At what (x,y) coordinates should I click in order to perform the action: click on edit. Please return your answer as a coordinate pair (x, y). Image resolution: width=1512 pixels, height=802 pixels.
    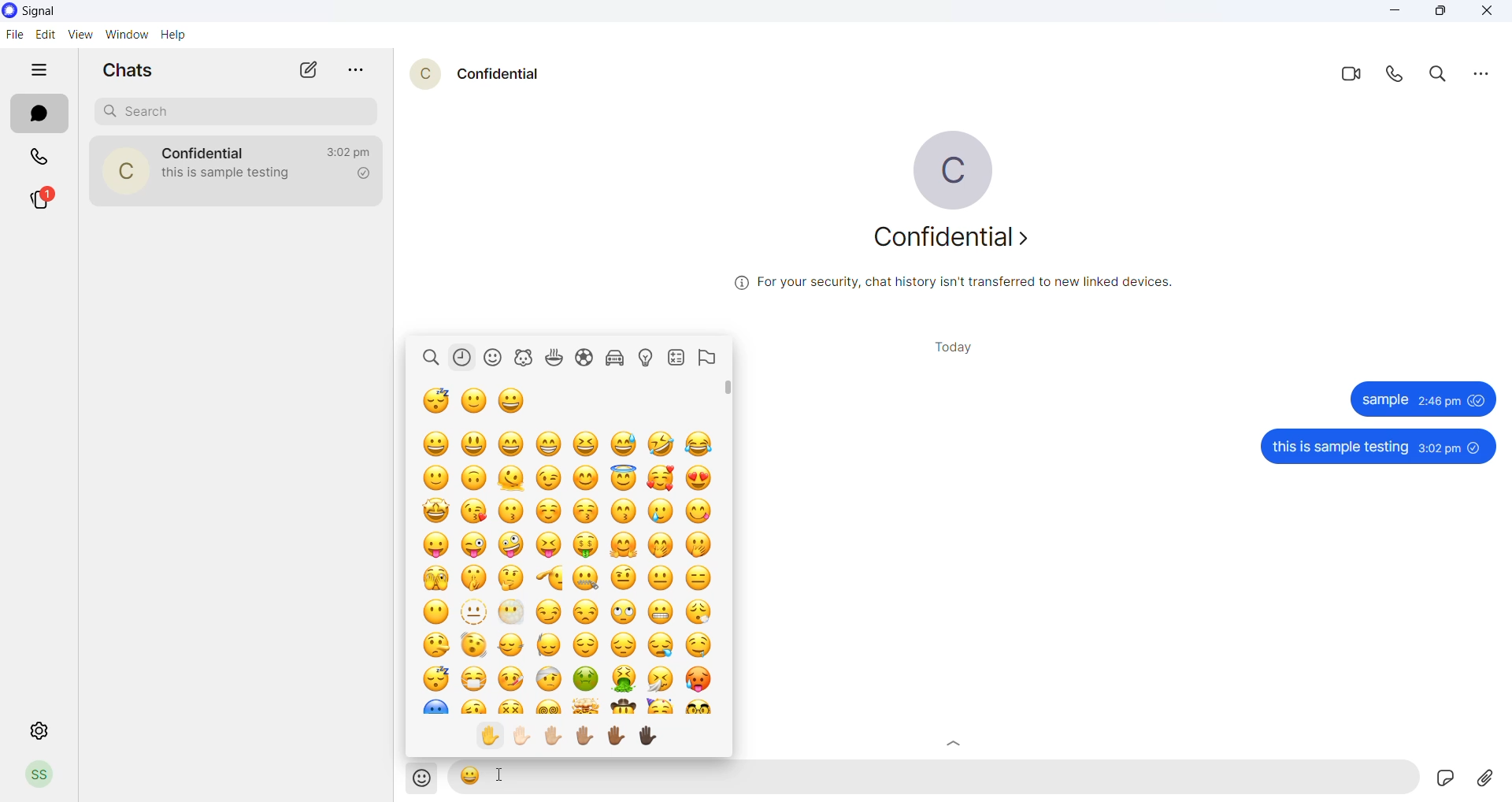
    Looking at the image, I should click on (46, 33).